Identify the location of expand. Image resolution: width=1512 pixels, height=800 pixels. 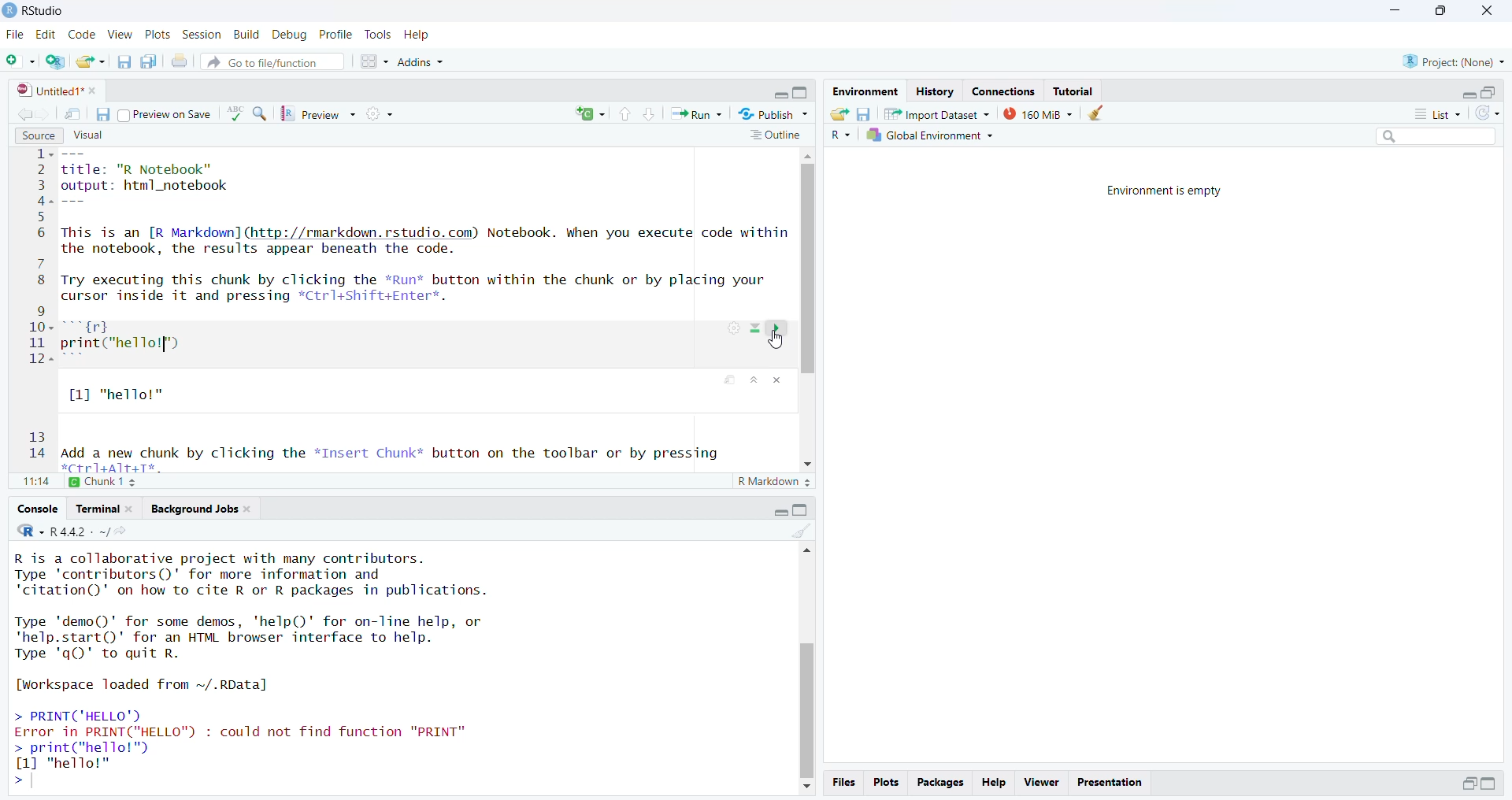
(1492, 784).